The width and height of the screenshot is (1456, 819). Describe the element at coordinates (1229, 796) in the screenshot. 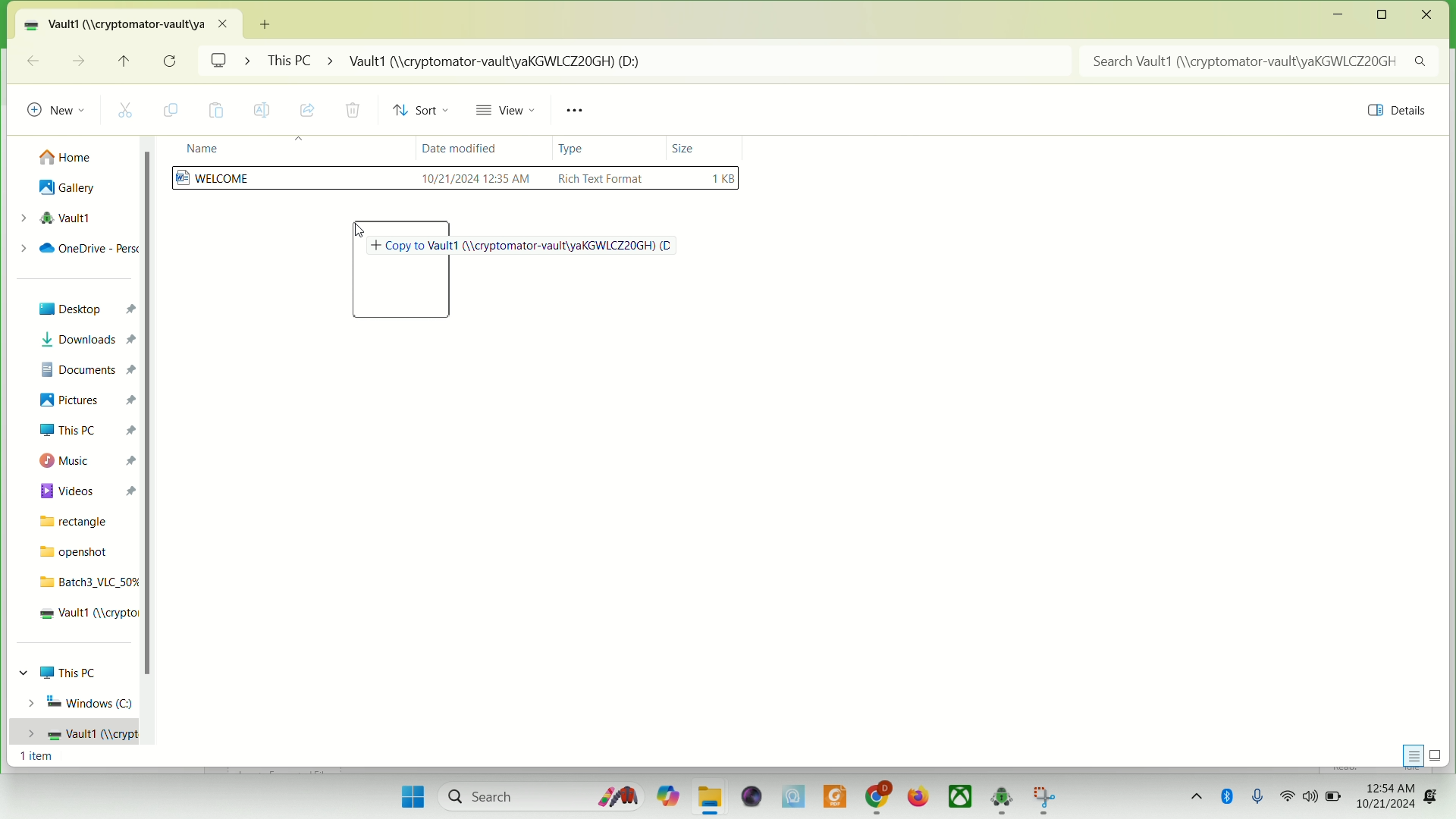

I see `Bluetooth` at that location.